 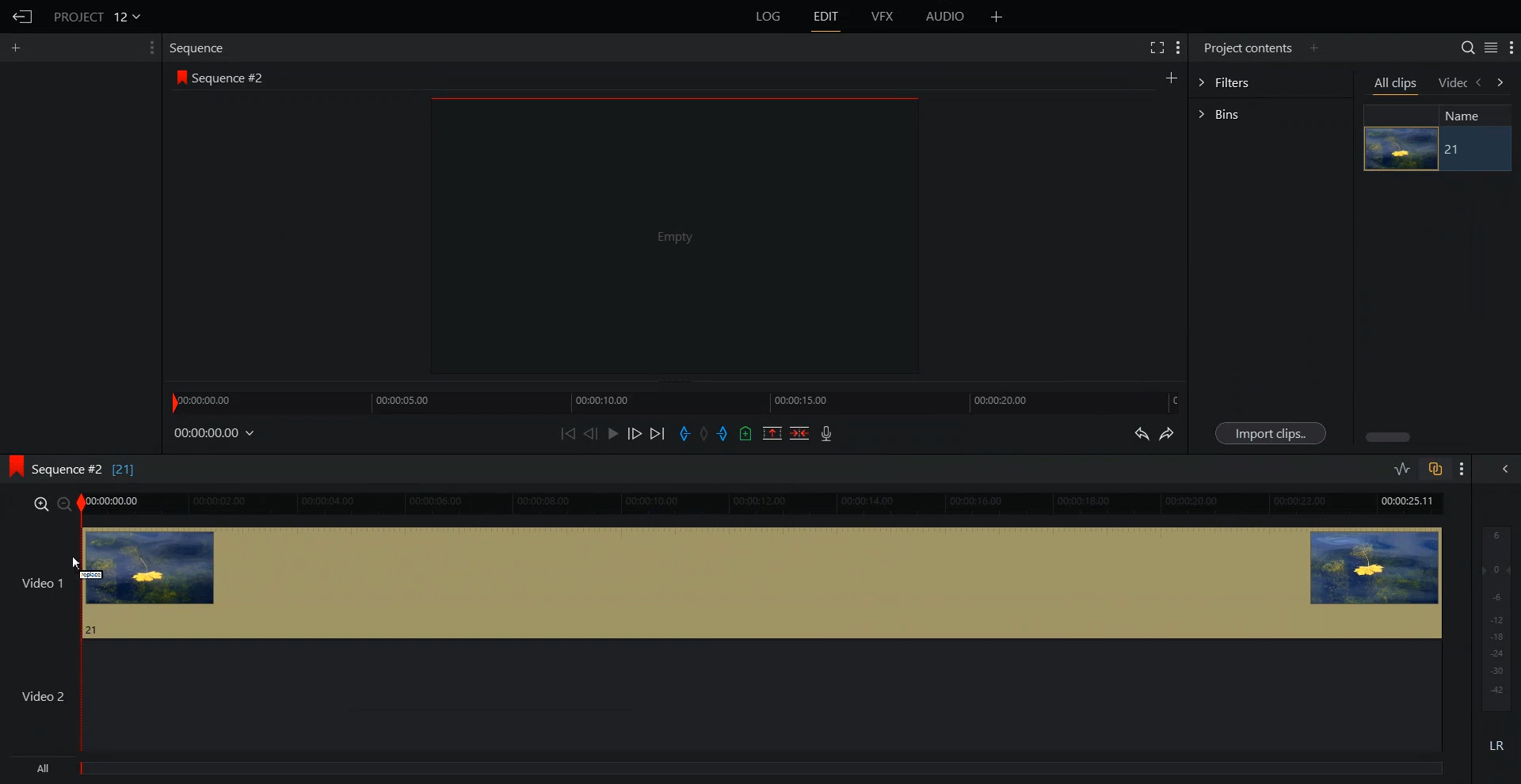 What do you see at coordinates (1173, 77) in the screenshot?
I see `Create New Sequence` at bounding box center [1173, 77].